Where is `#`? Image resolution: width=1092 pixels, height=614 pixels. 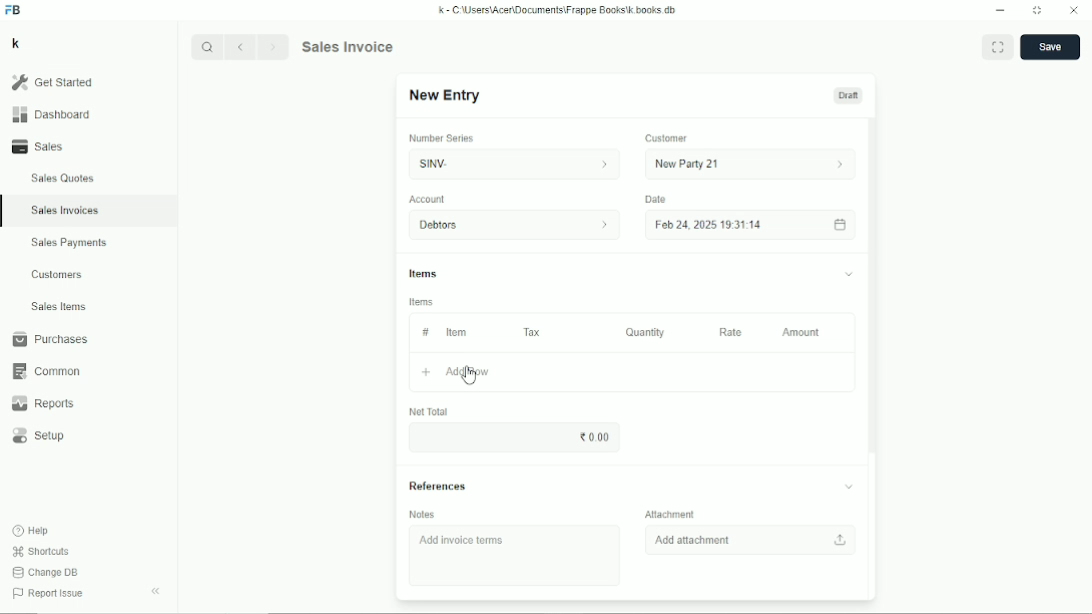 # is located at coordinates (424, 332).